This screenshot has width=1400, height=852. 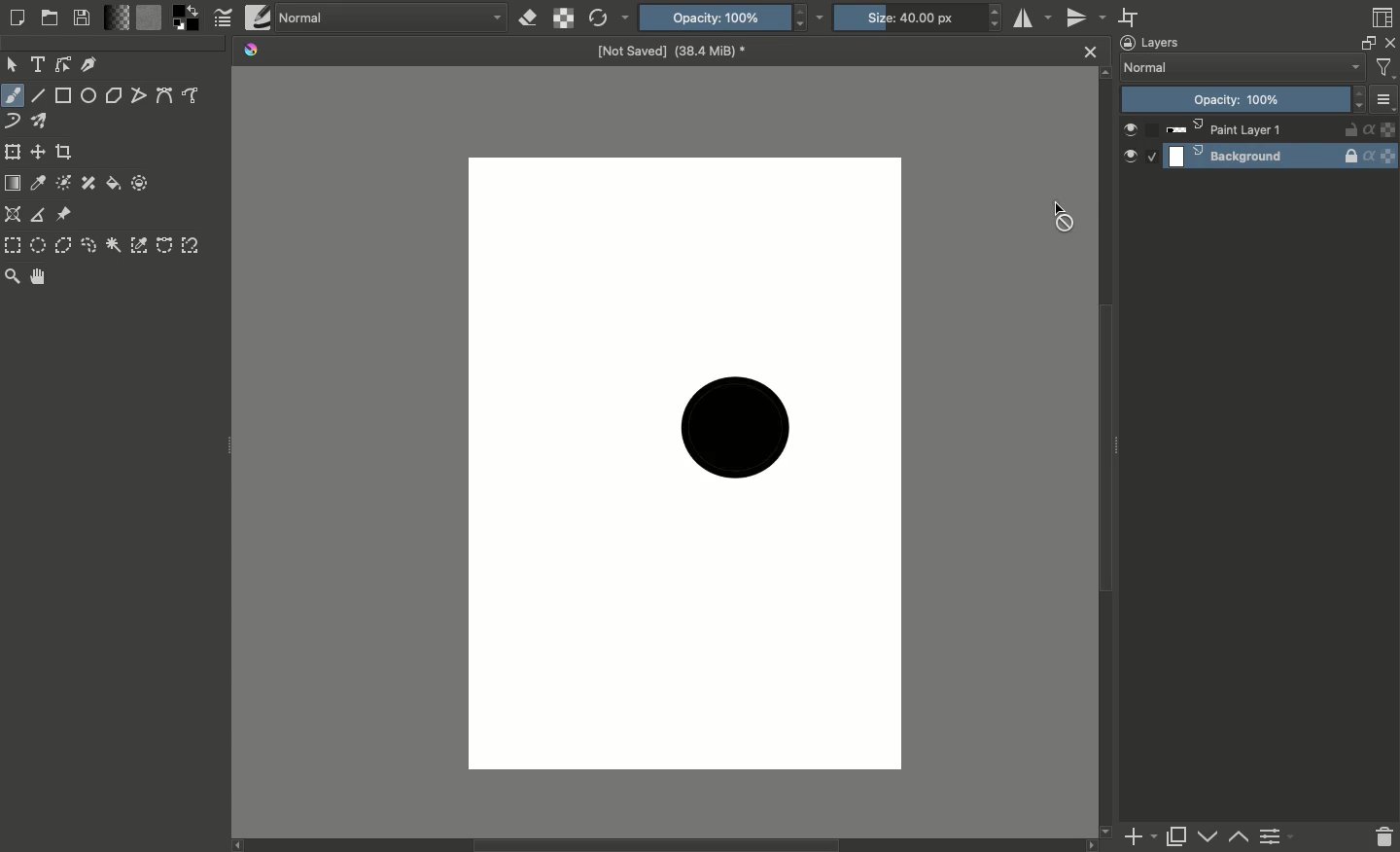 What do you see at coordinates (720, 18) in the screenshot?
I see `Opacity` at bounding box center [720, 18].